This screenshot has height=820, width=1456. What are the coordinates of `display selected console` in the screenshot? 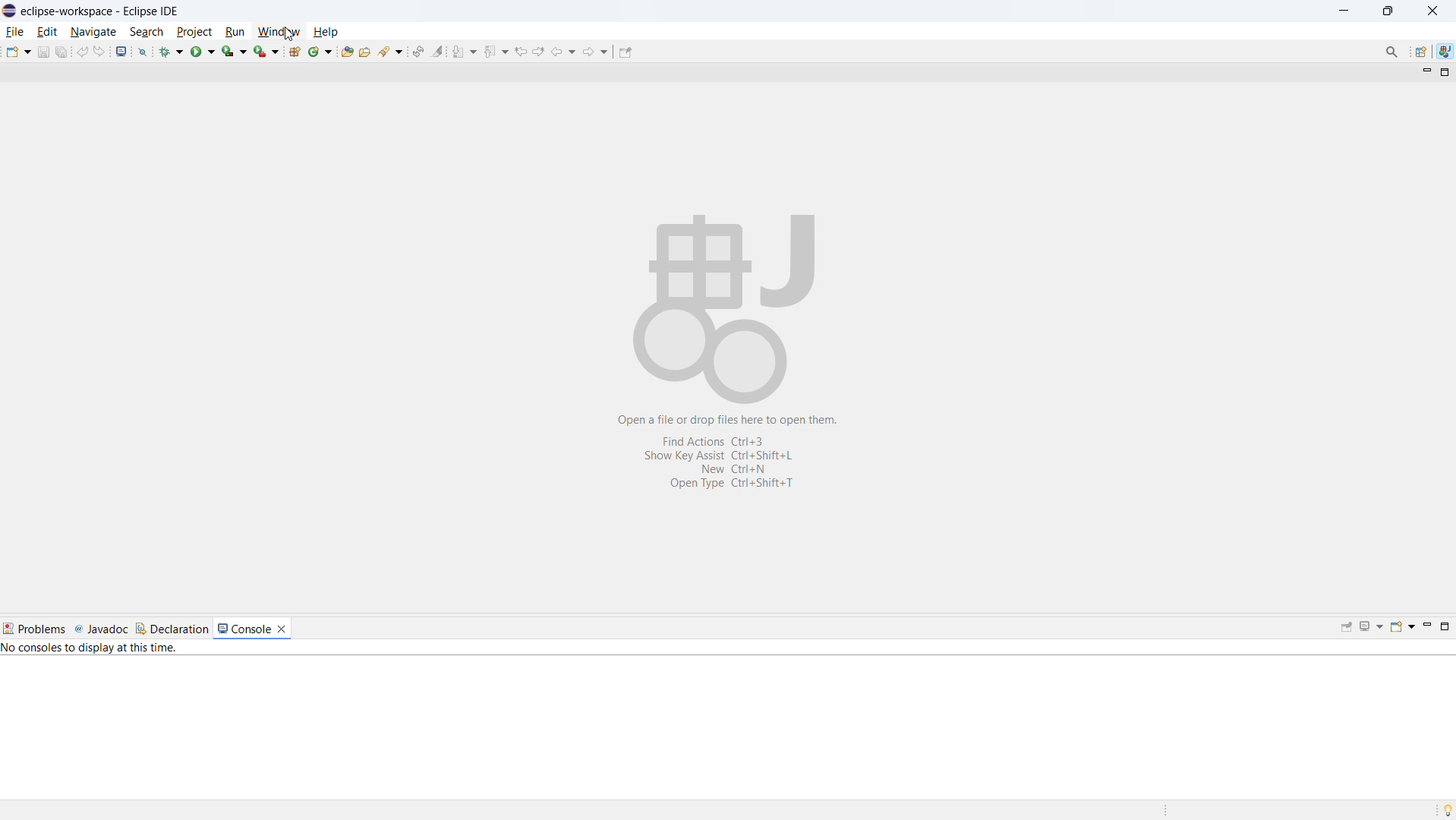 It's located at (1371, 627).